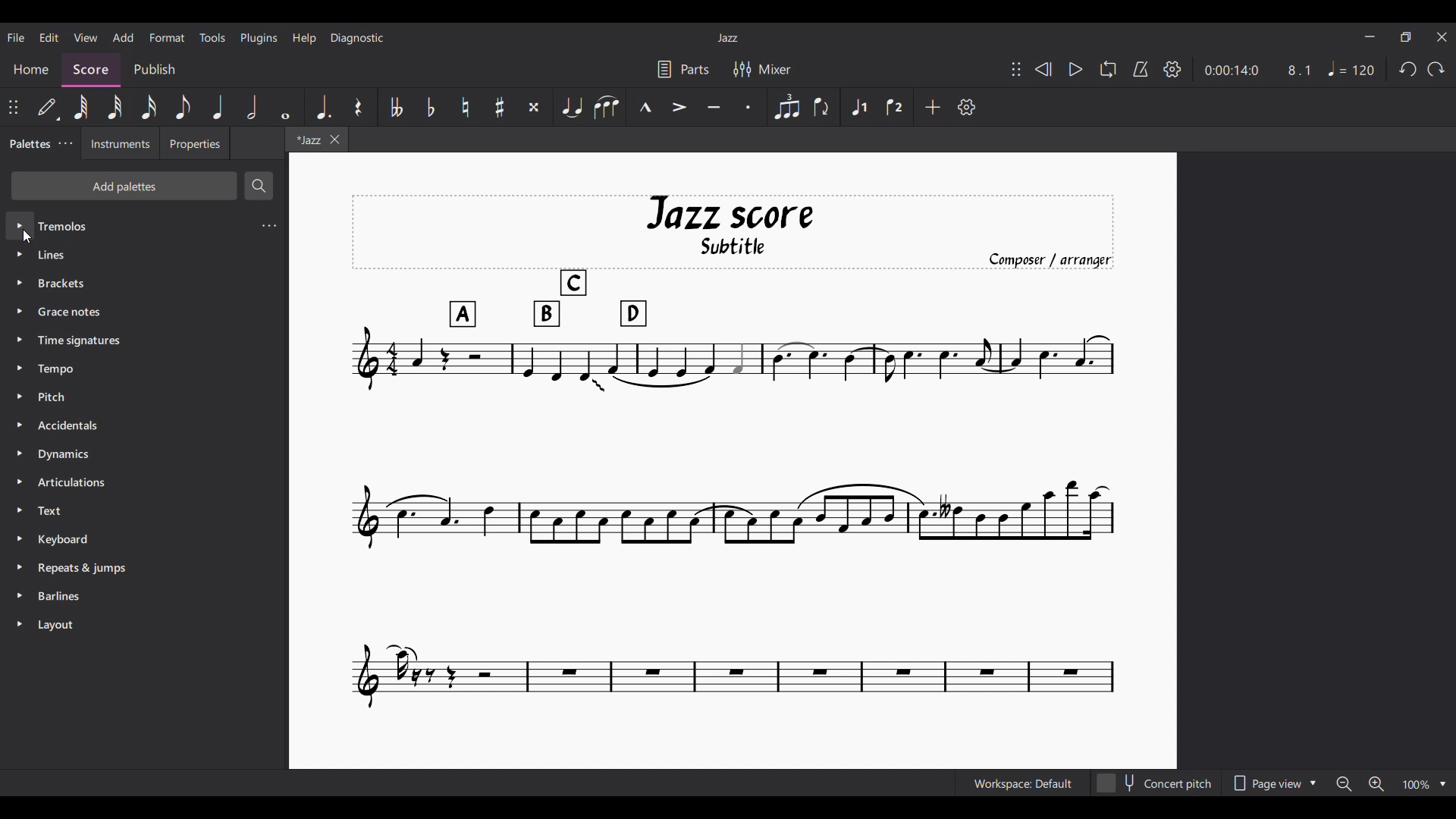 The image size is (1456, 819). I want to click on Tie, so click(572, 106).